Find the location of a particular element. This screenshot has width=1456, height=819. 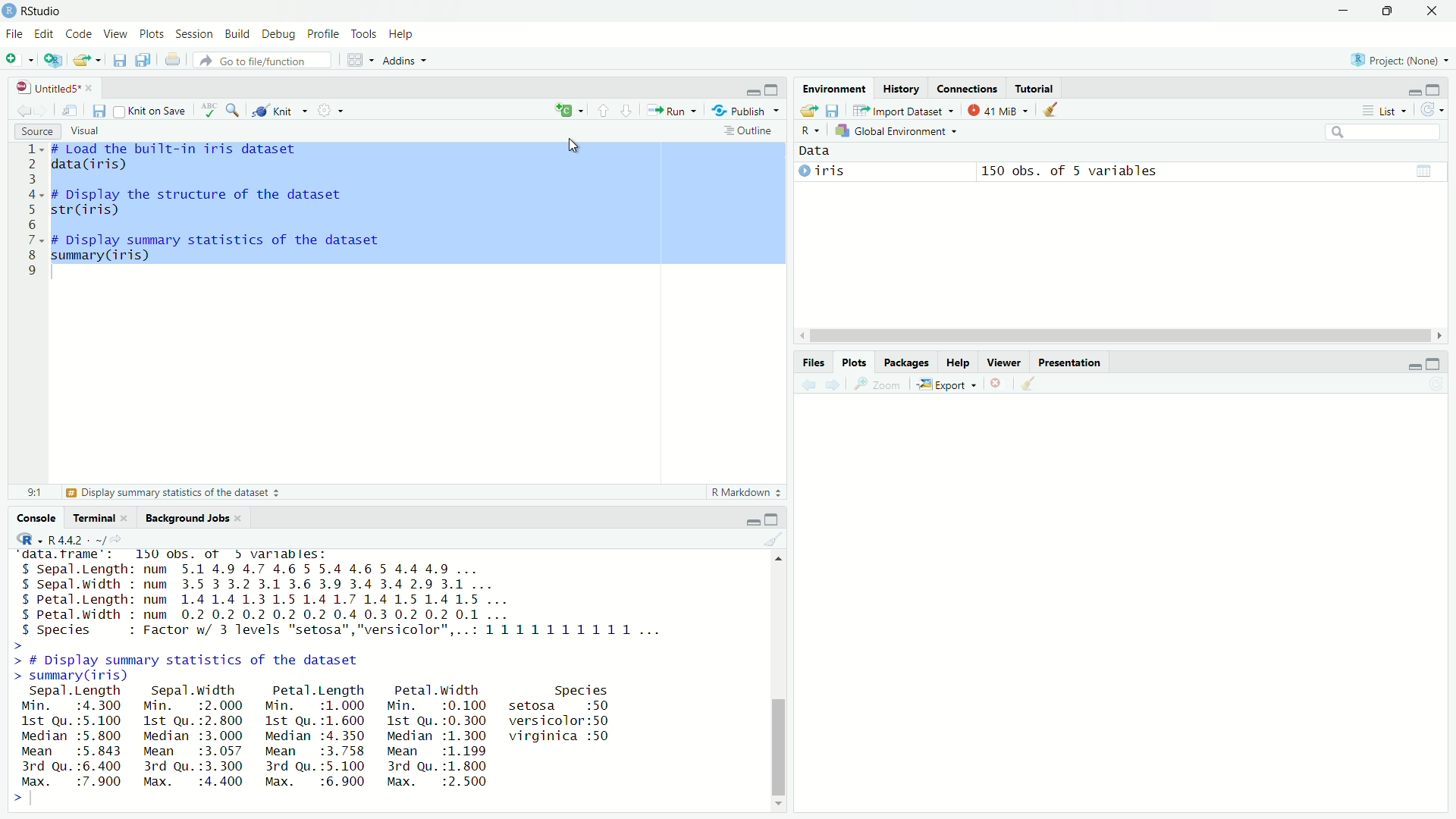

Full Height is located at coordinates (1436, 89).